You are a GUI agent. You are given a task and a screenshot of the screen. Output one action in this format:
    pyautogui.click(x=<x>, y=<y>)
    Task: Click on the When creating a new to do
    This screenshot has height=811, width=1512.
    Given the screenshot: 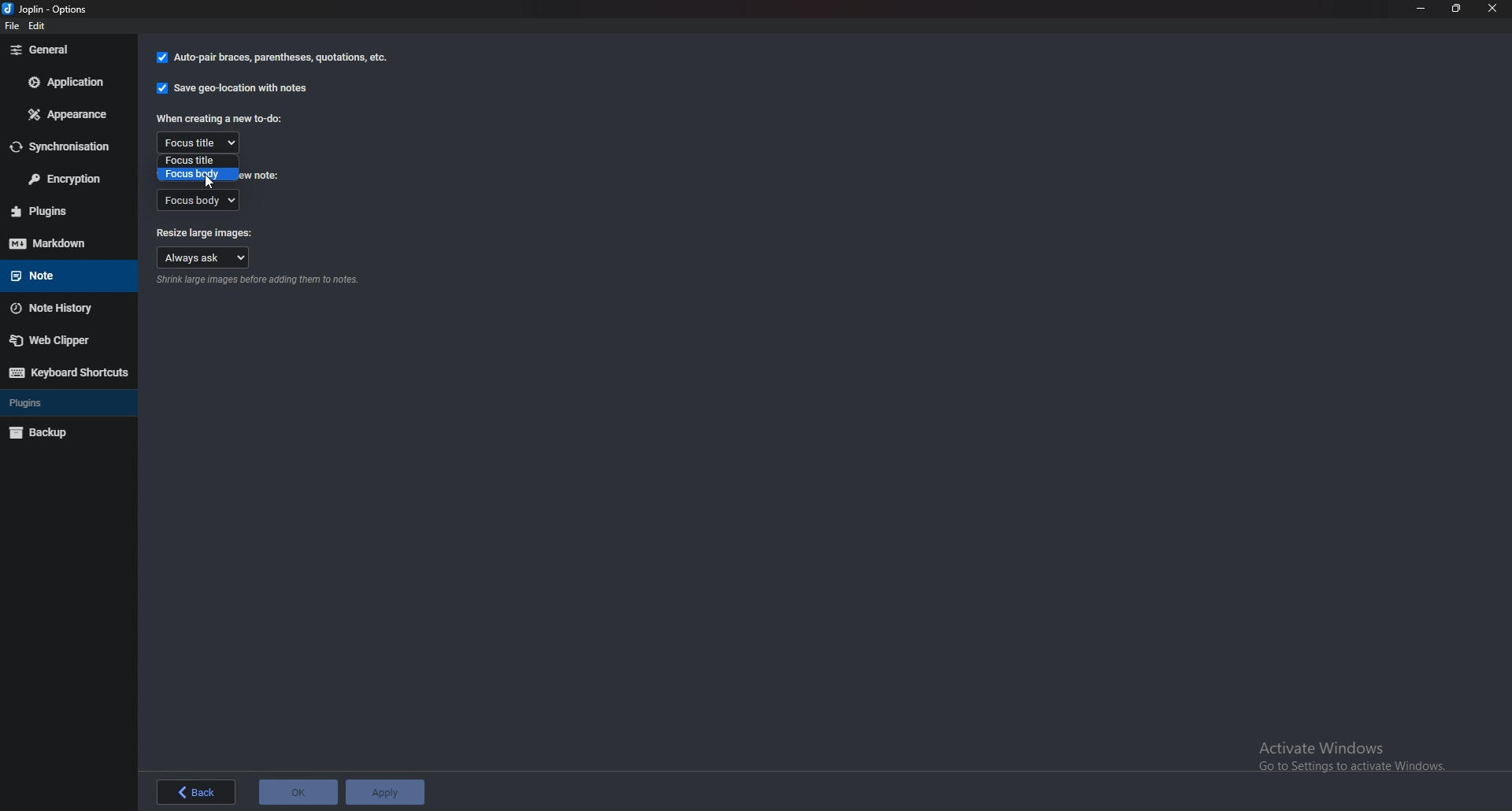 What is the action you would take?
    pyautogui.click(x=223, y=118)
    